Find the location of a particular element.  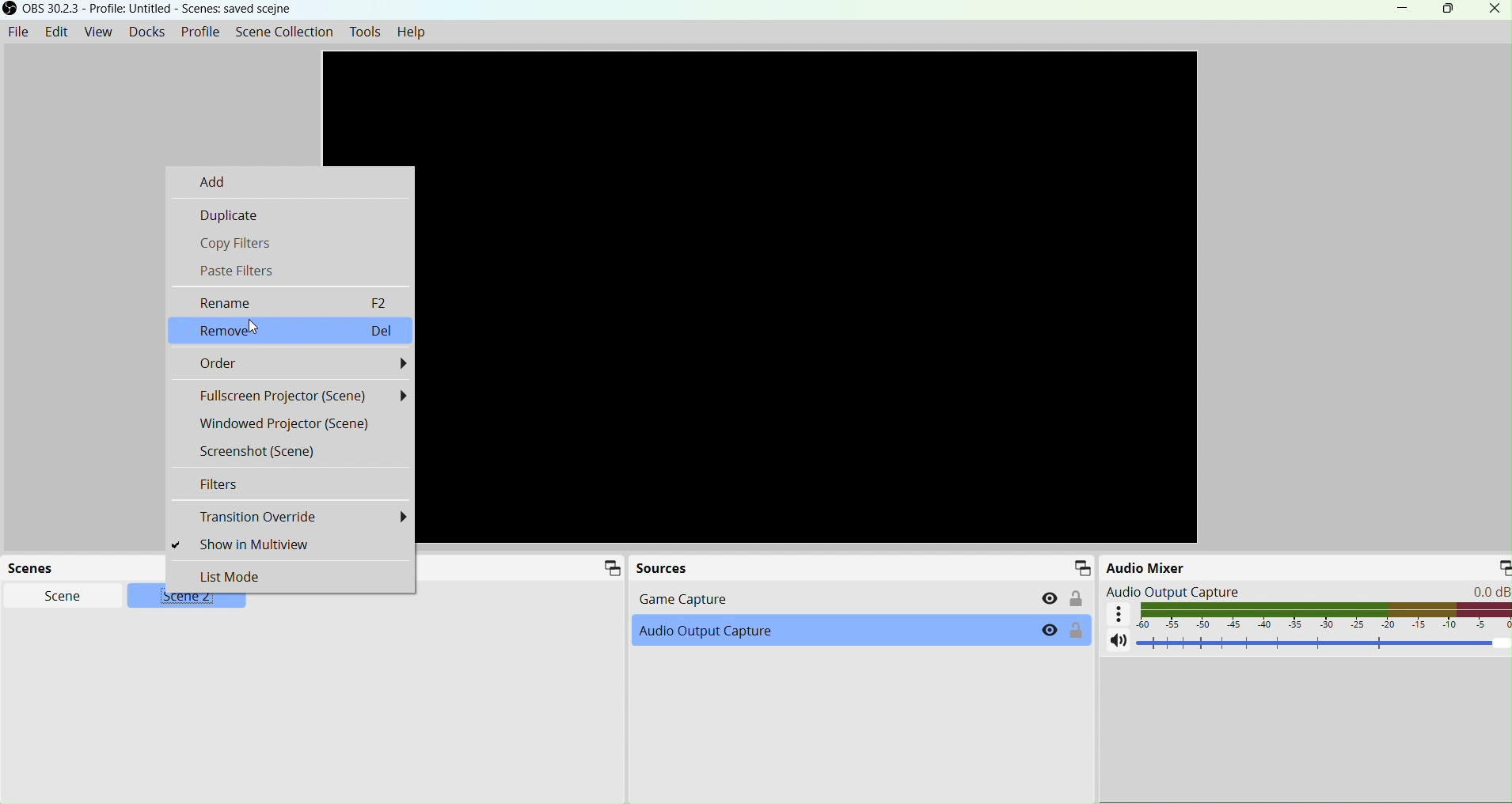

Audio Output capture is located at coordinates (1305, 591).